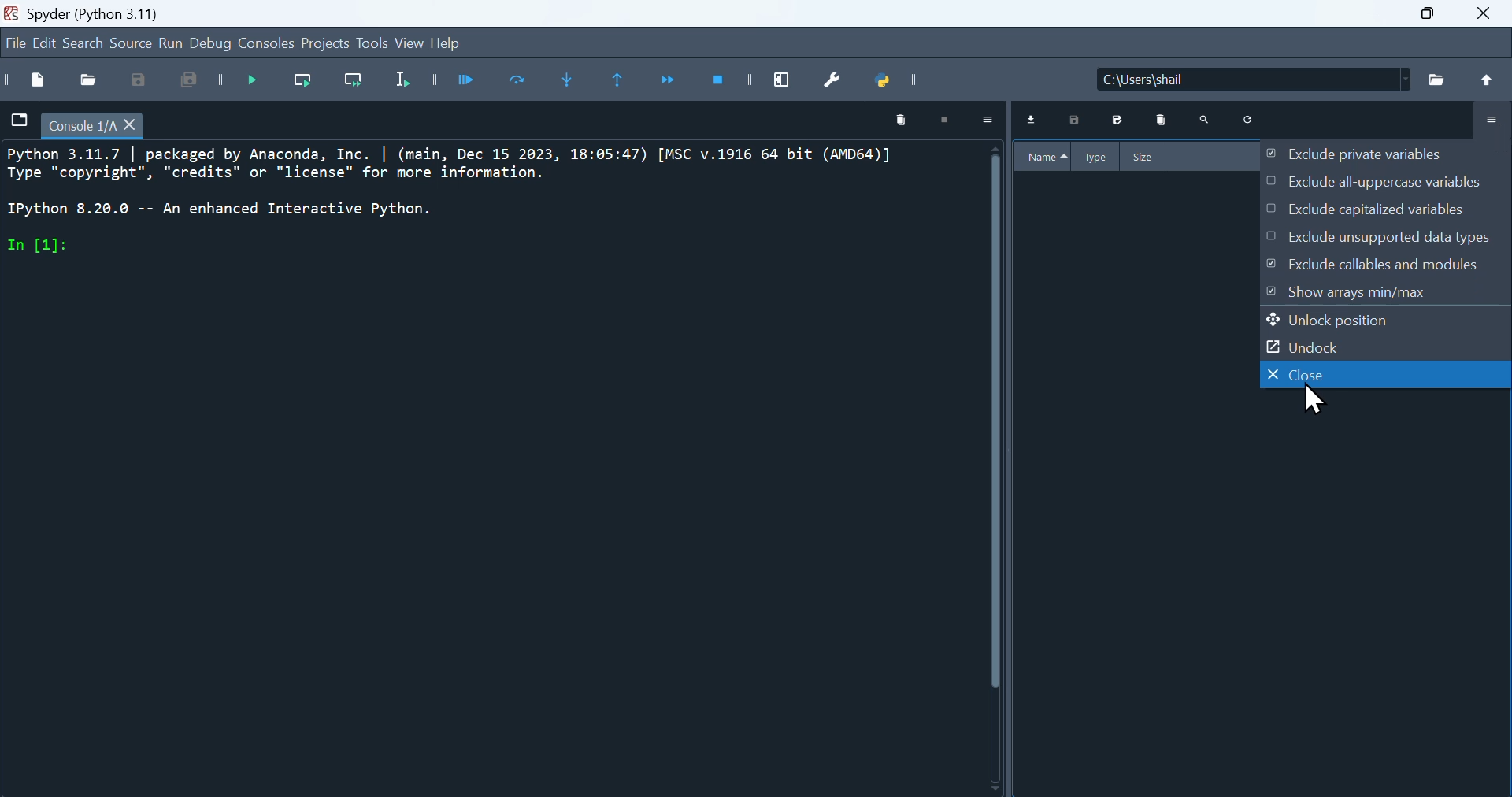 The width and height of the screenshot is (1512, 797). Describe the element at coordinates (1347, 293) in the screenshot. I see `Show Array Min/Max` at that location.